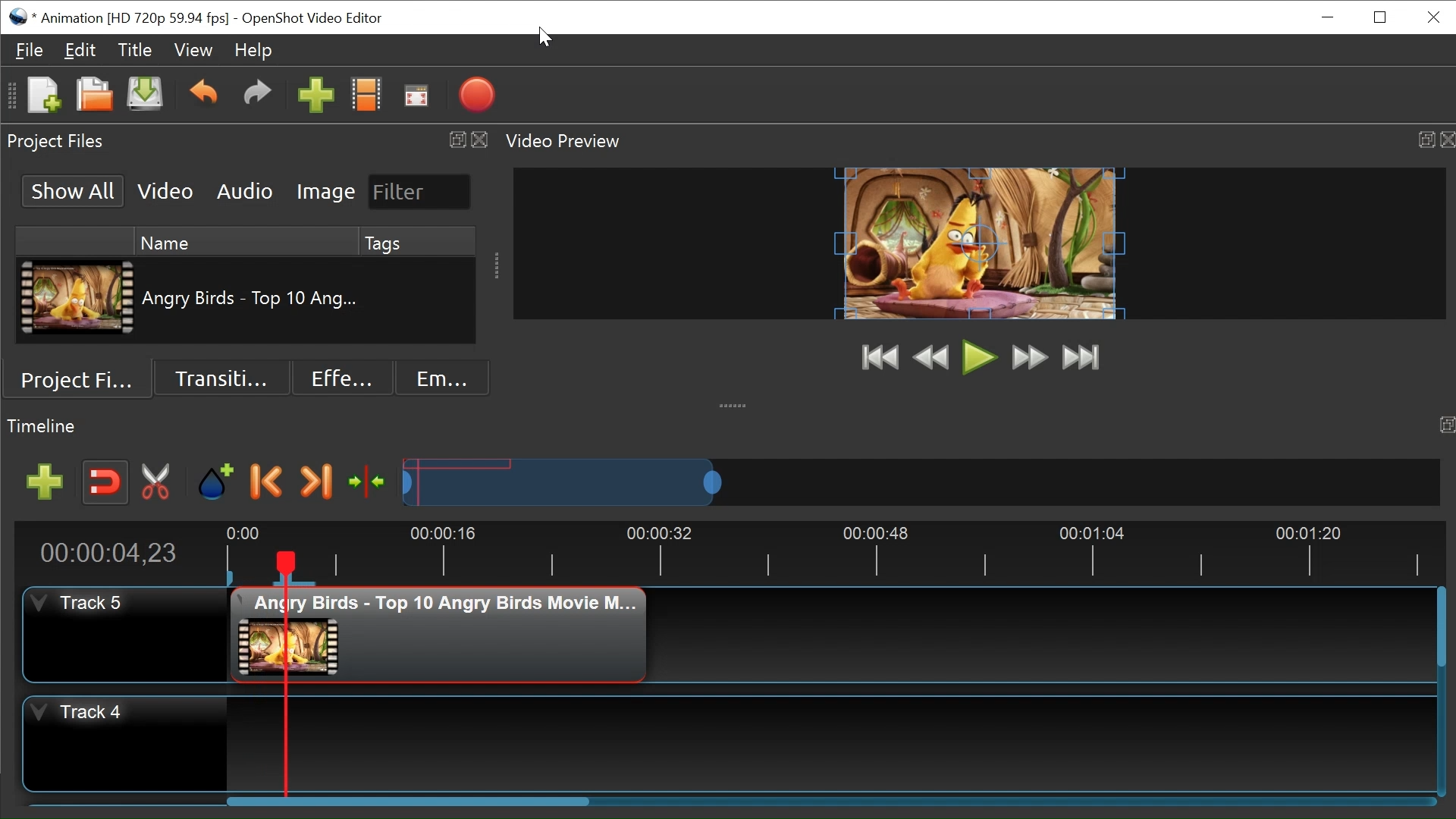 The width and height of the screenshot is (1456, 819). I want to click on Close, so click(1431, 18).